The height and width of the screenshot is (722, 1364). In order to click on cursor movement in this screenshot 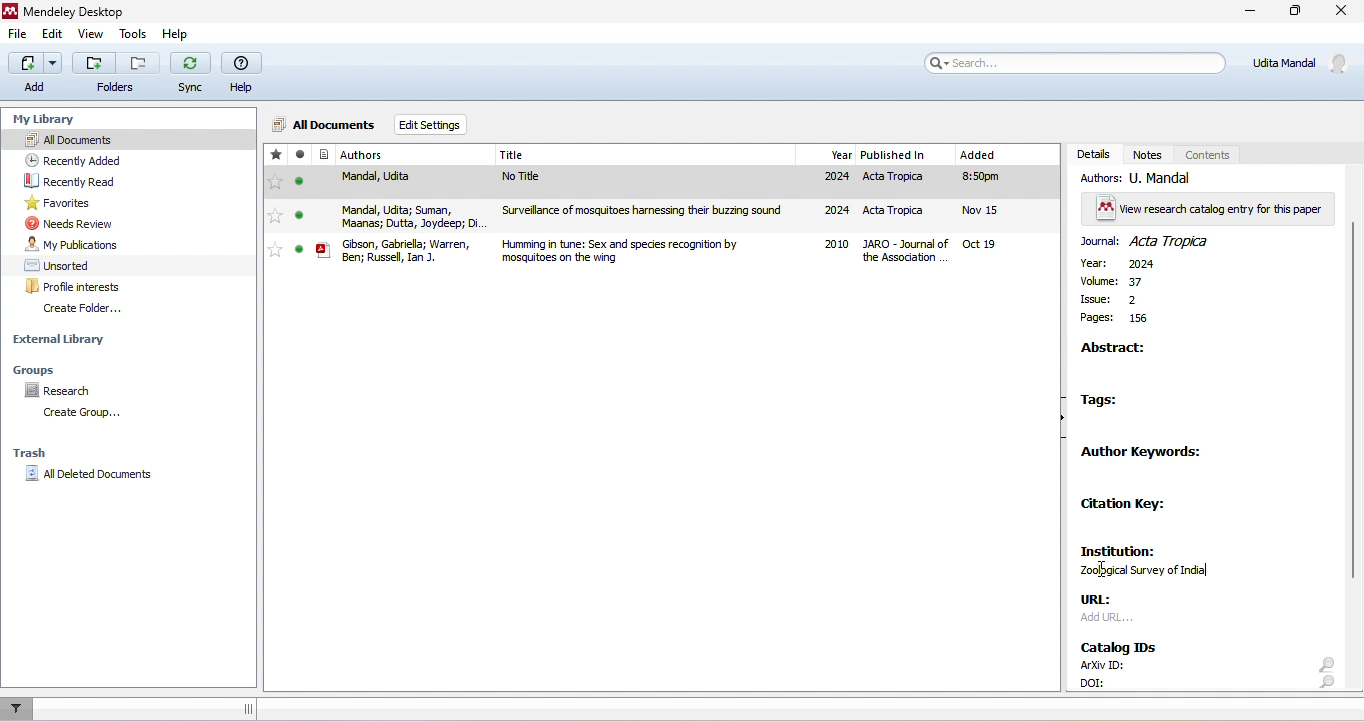, I will do `click(1104, 572)`.